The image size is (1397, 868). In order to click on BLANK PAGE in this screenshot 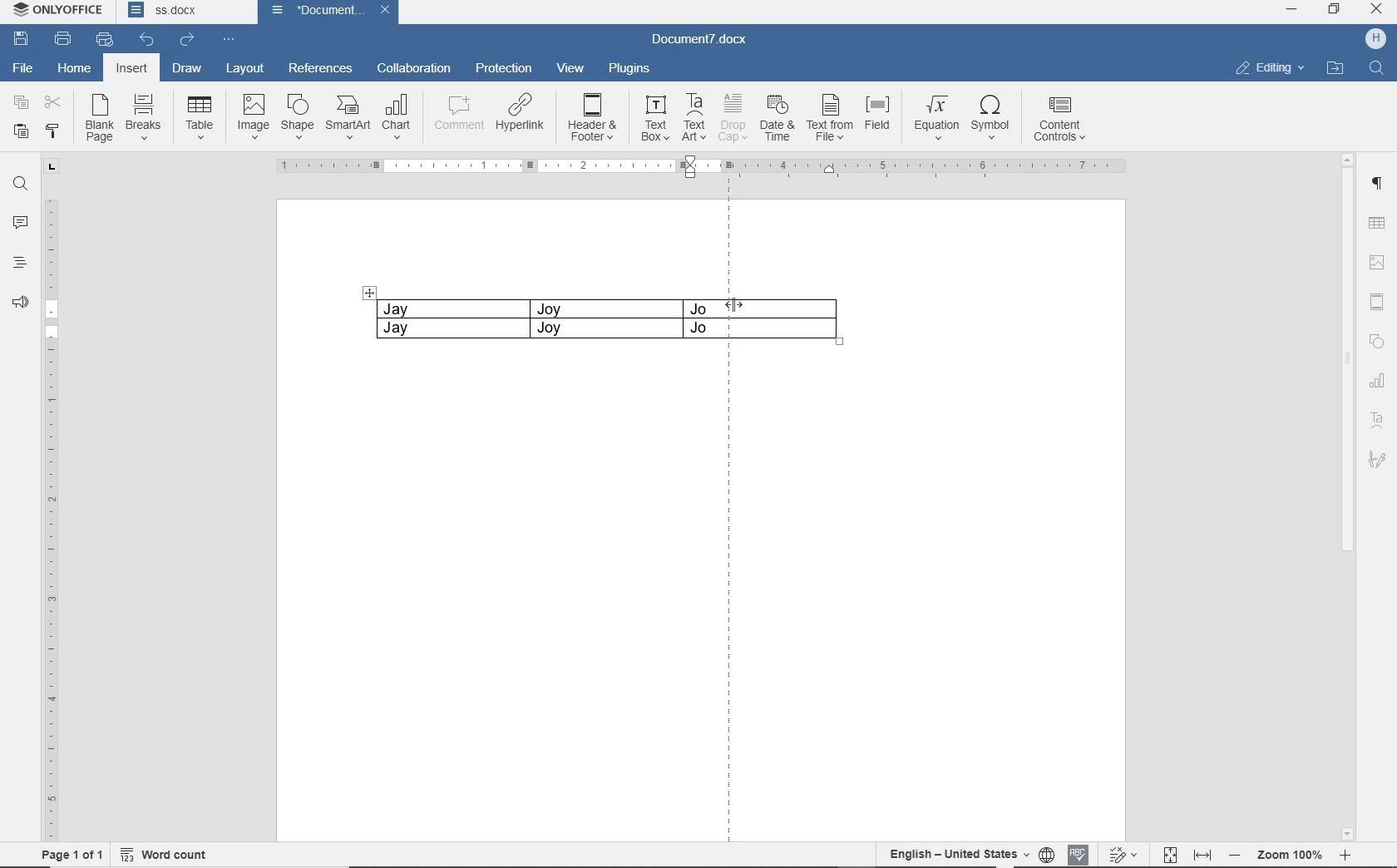, I will do `click(97, 120)`.